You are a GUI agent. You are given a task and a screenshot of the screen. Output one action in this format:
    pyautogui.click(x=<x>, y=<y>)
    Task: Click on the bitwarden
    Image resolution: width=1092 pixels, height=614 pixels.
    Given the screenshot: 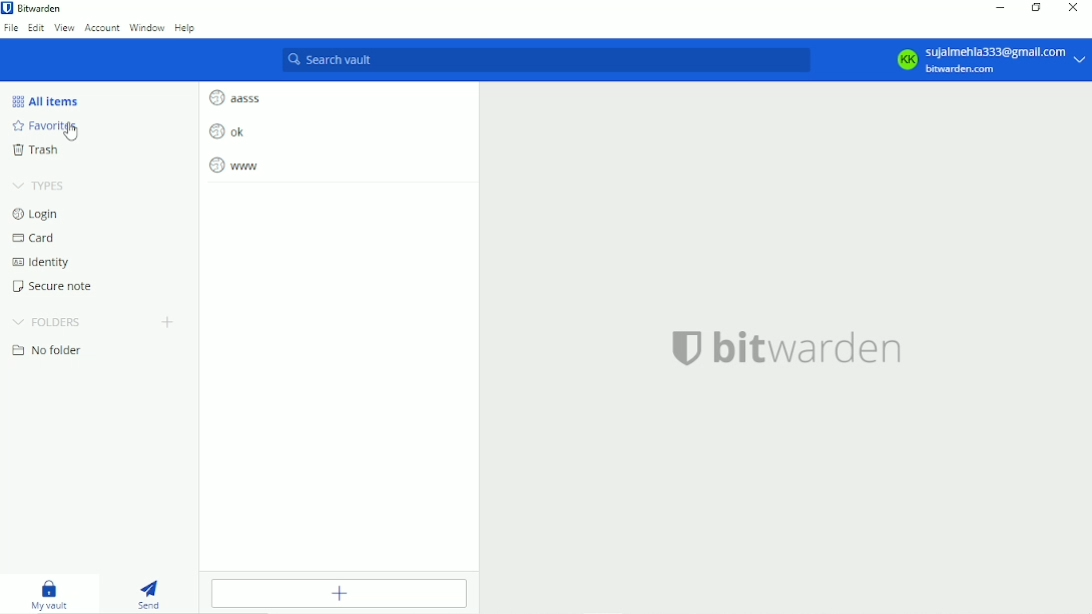 What is the action you would take?
    pyautogui.click(x=787, y=348)
    